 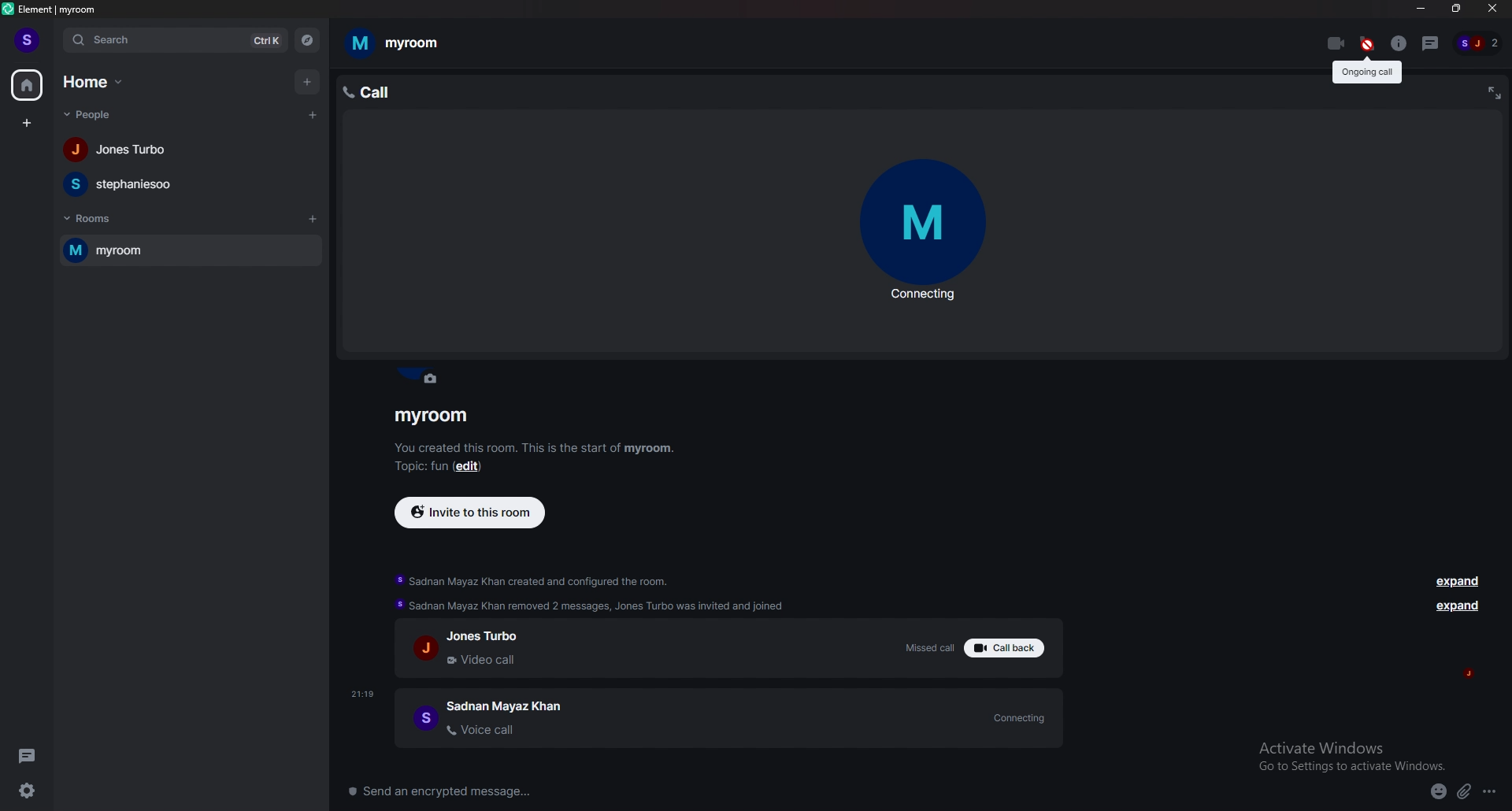 I want to click on add, so click(x=306, y=80).